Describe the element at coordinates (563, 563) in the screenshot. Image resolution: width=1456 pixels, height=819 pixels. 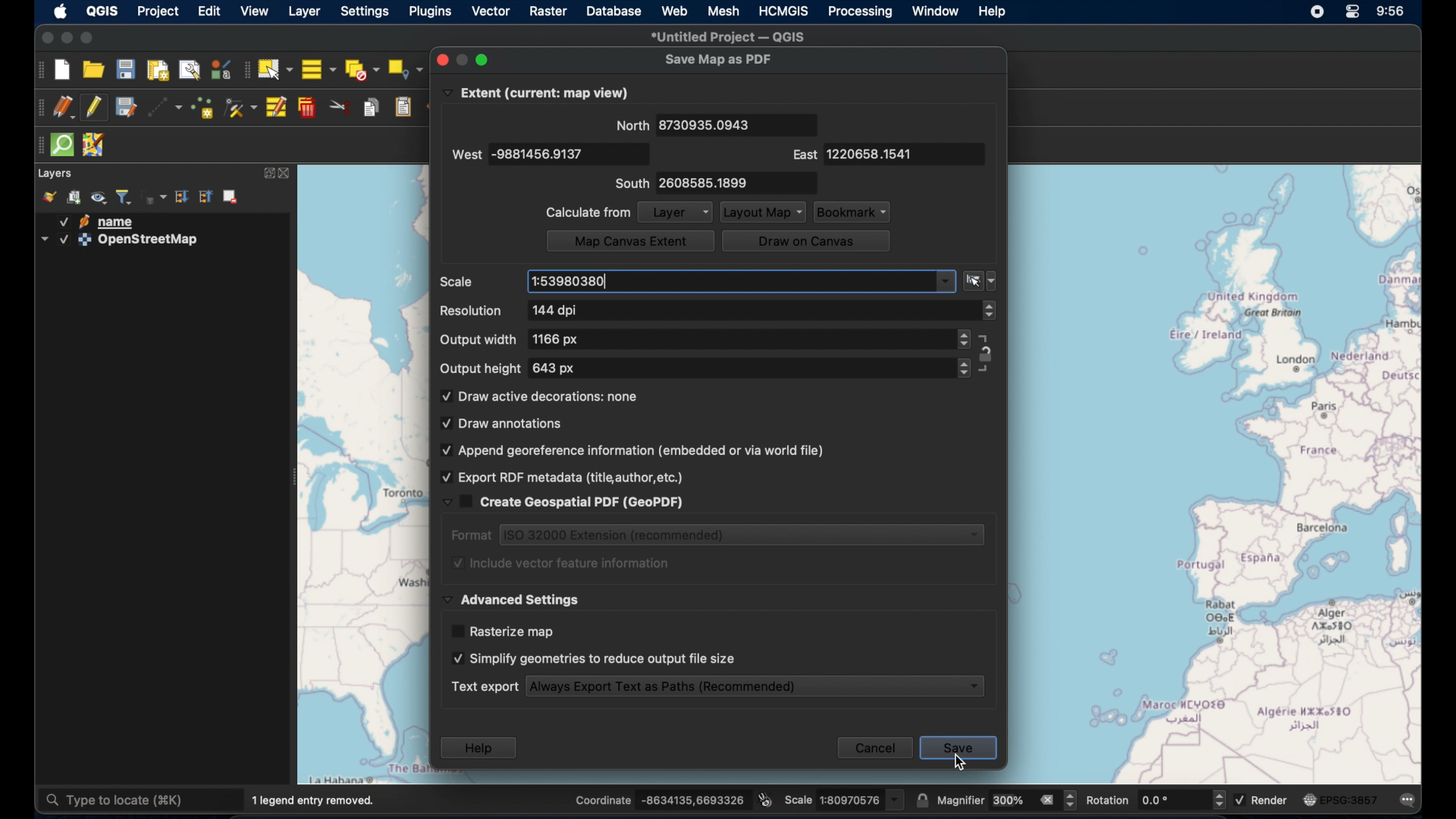
I see `include vector feature information` at that location.